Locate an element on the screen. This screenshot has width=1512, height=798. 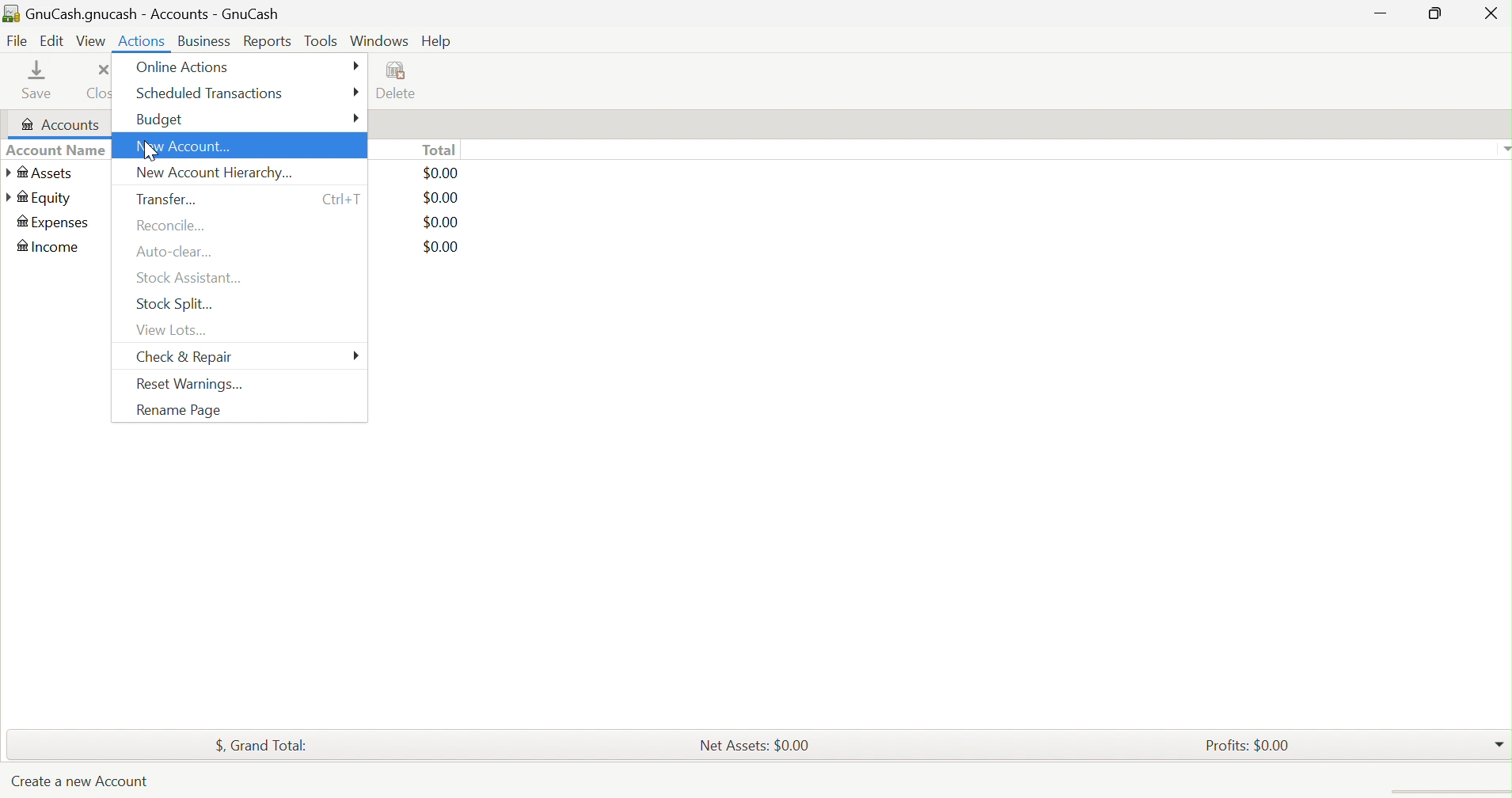
Drop Down is located at coordinates (1499, 741).